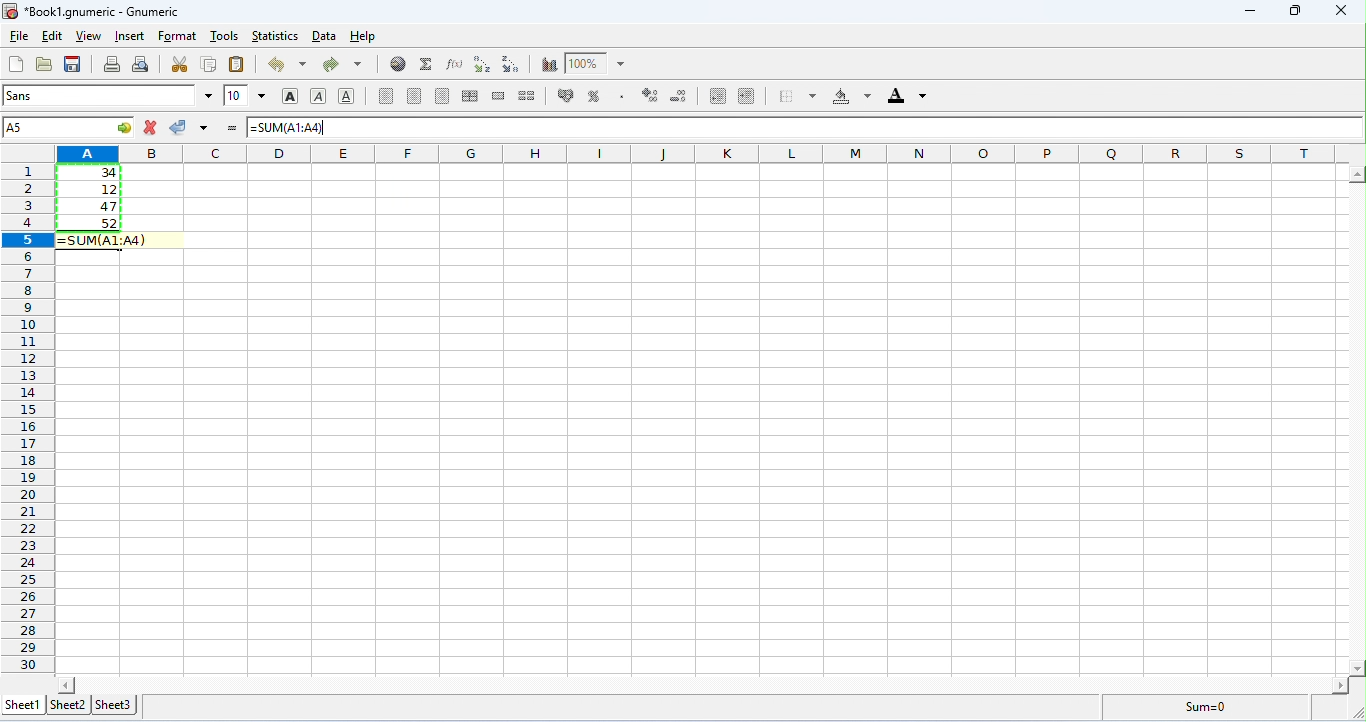  What do you see at coordinates (703, 153) in the screenshot?
I see `column headings` at bounding box center [703, 153].